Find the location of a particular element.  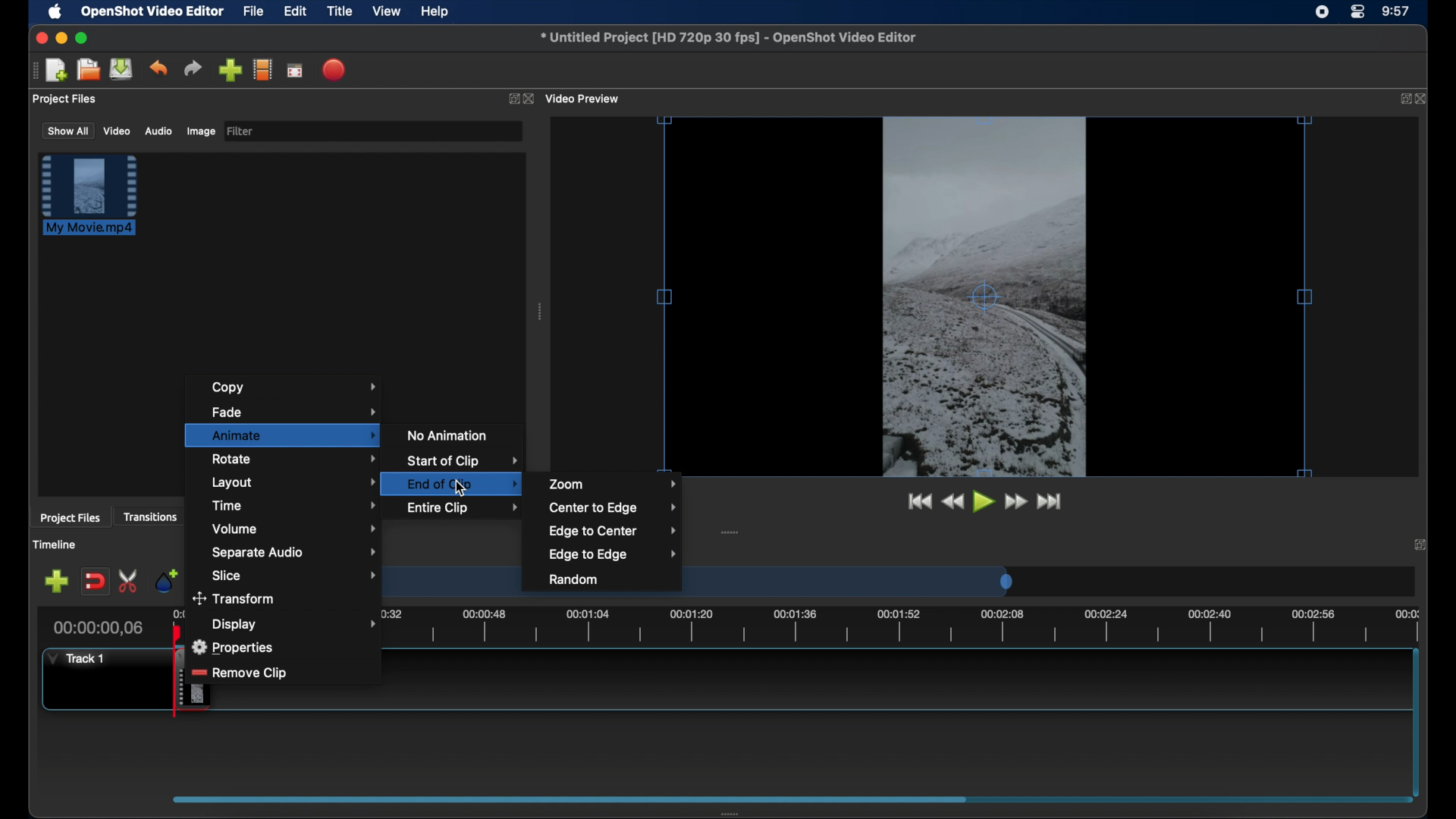

transitions is located at coordinates (150, 516).